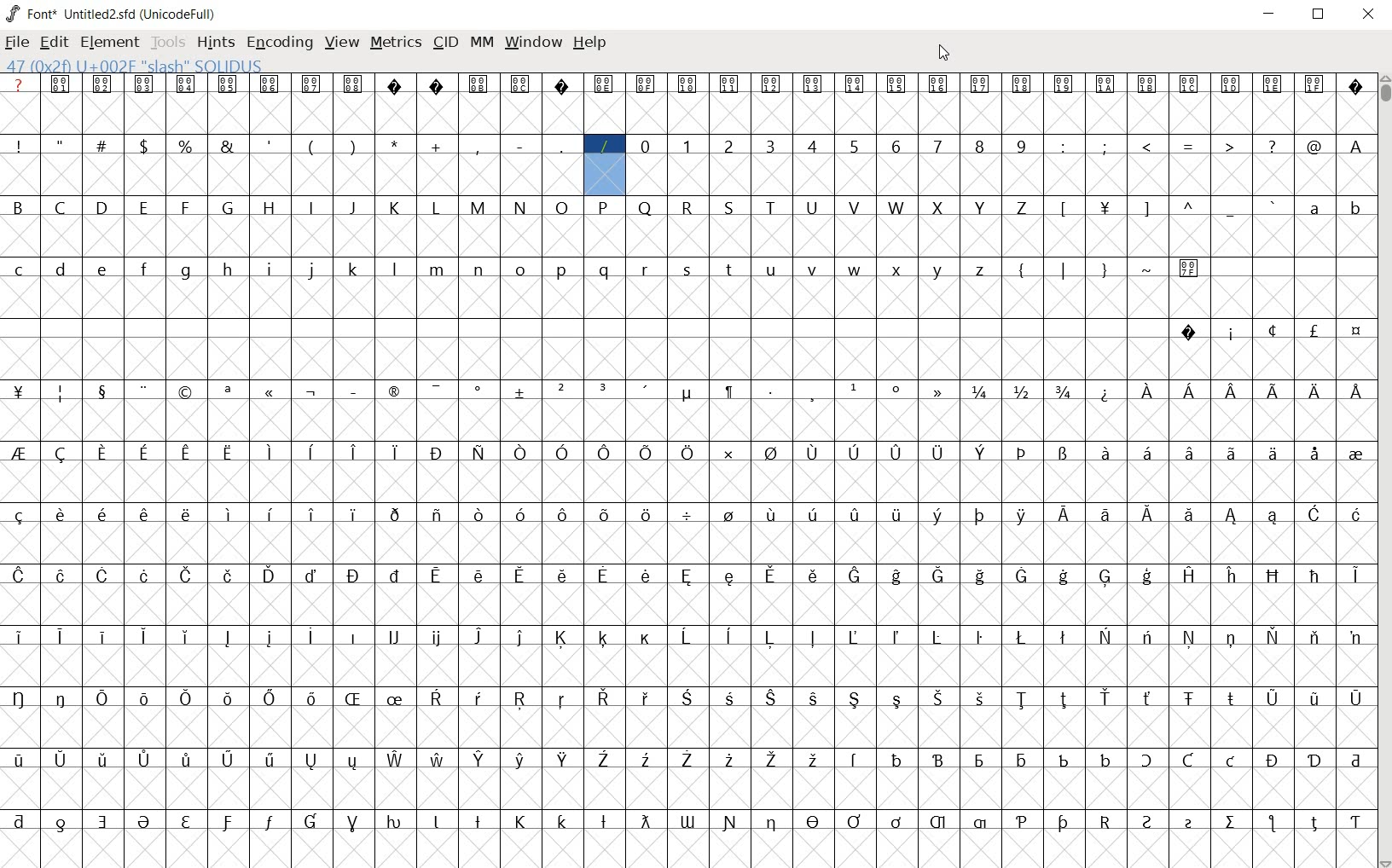 The height and width of the screenshot is (868, 1392). I want to click on glyph, so click(854, 821).